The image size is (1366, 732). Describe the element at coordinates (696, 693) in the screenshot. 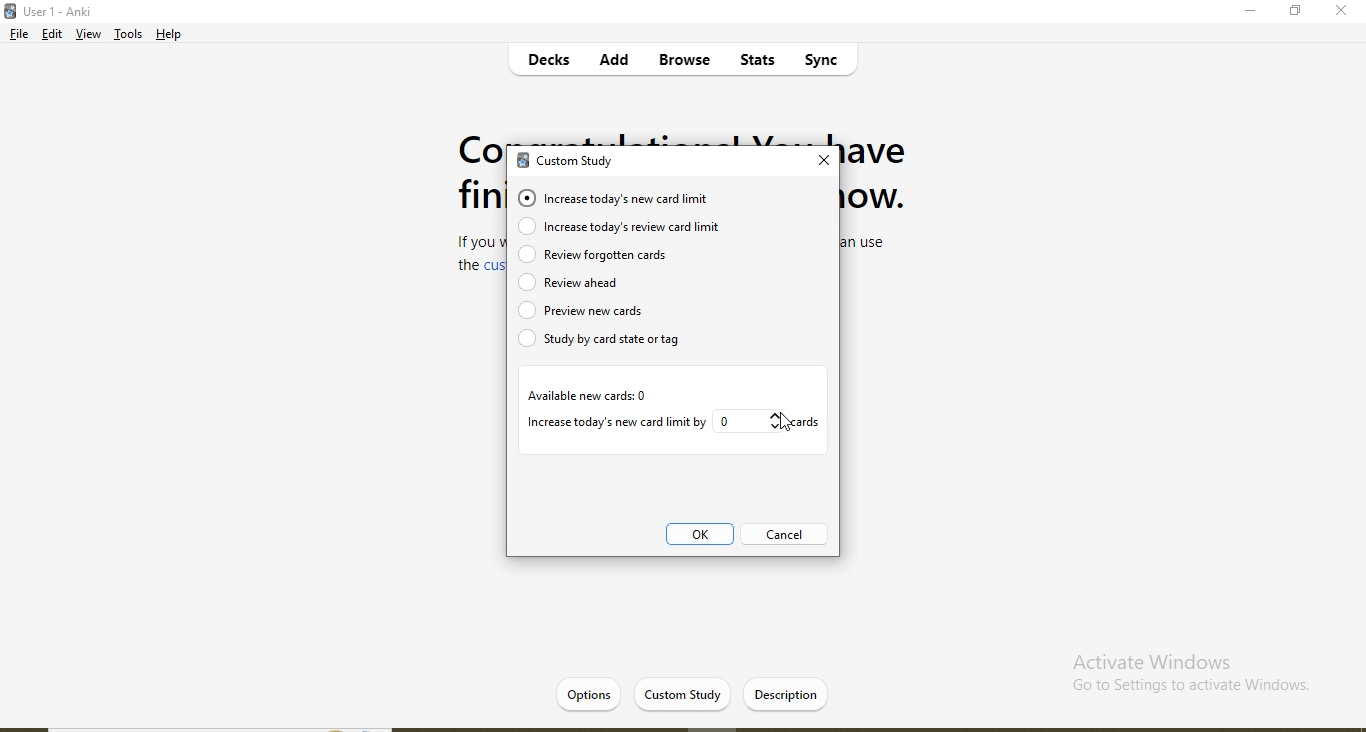

I see `create deck` at that location.